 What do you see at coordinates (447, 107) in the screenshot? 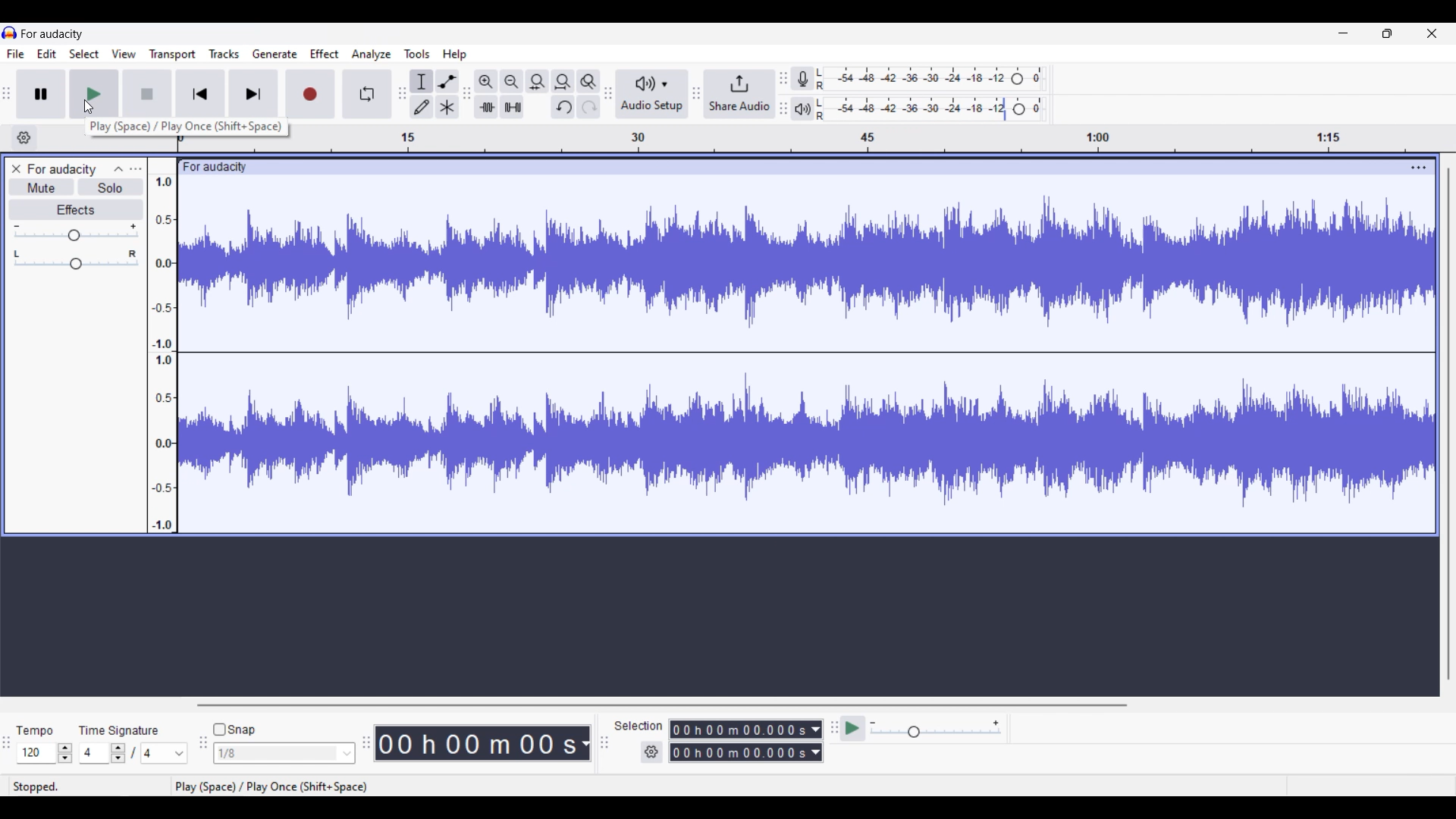
I see `Multi tool` at bounding box center [447, 107].